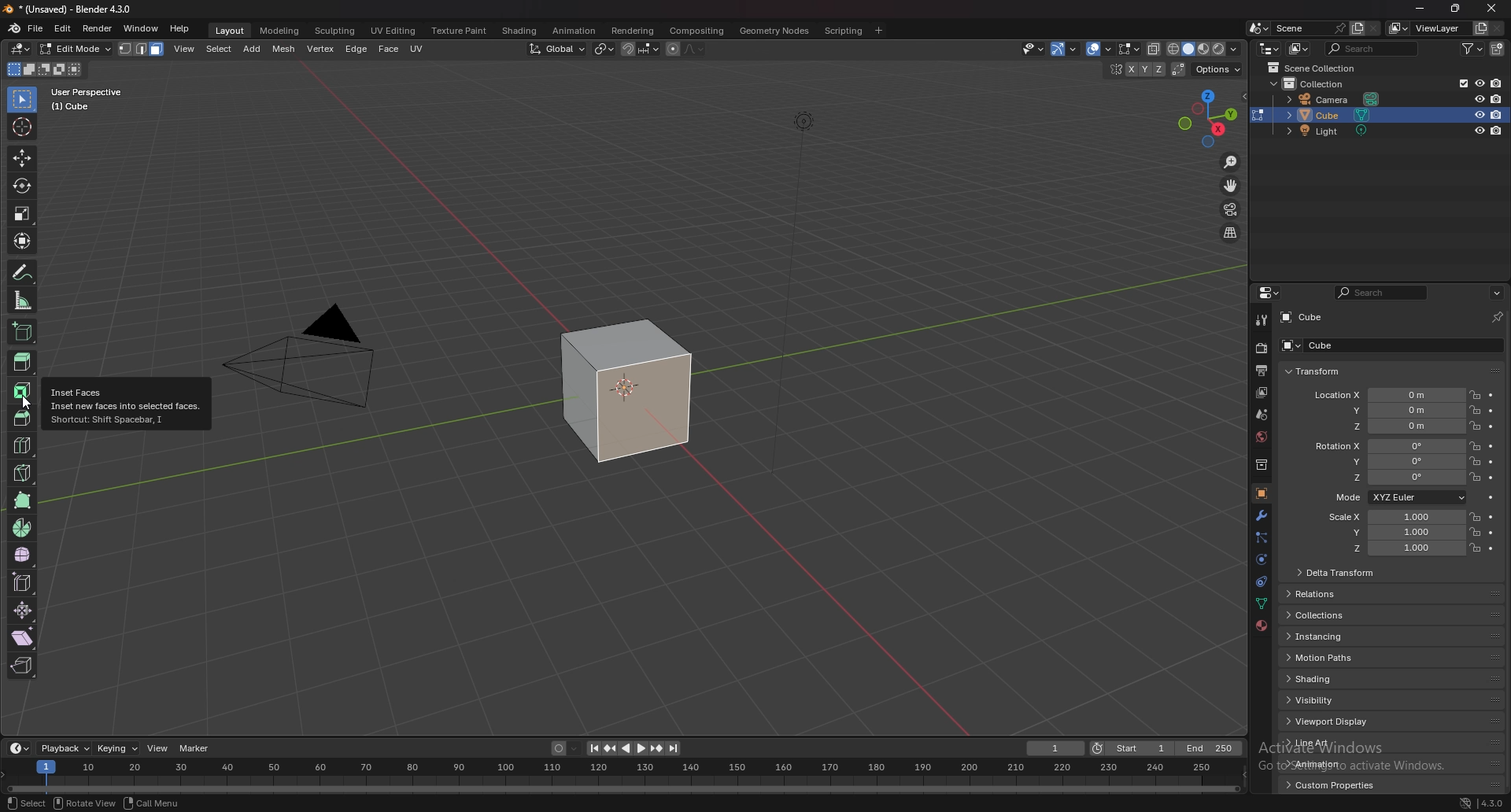 The width and height of the screenshot is (1511, 812). What do you see at coordinates (565, 748) in the screenshot?
I see `auto keying` at bounding box center [565, 748].